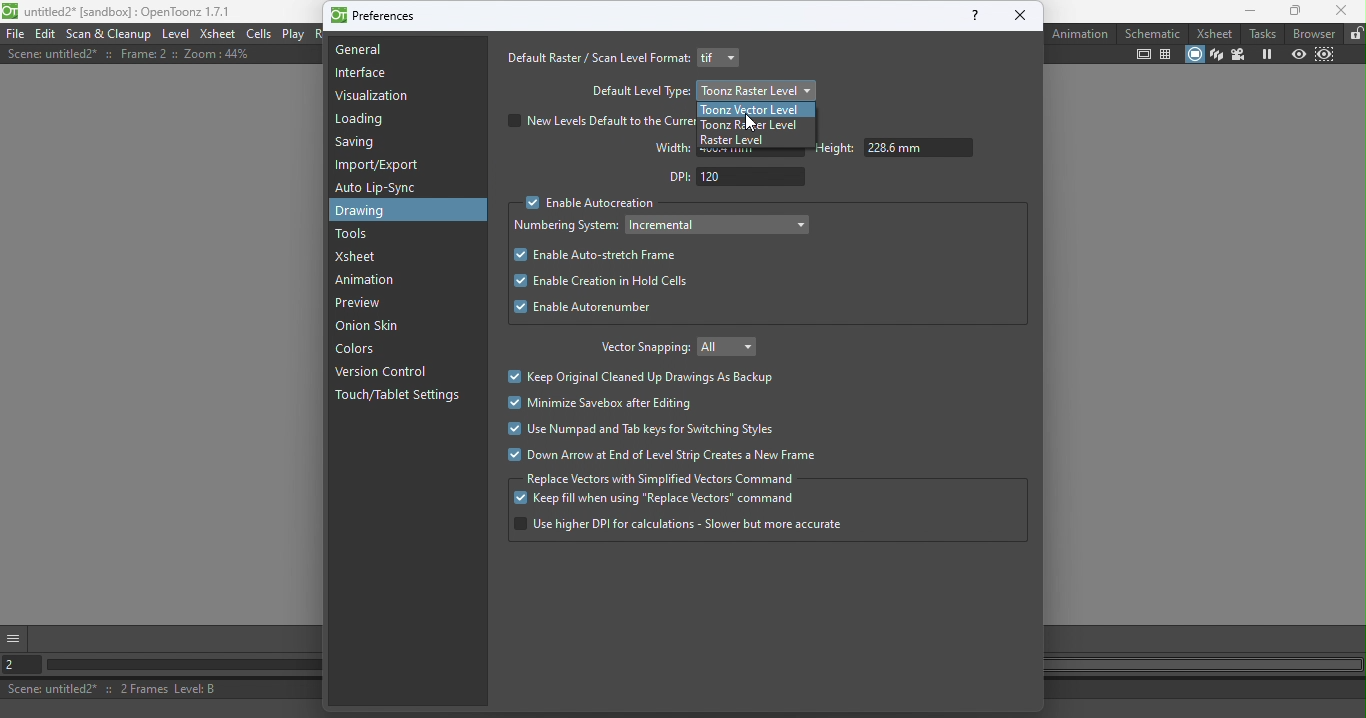 The image size is (1366, 718). Describe the element at coordinates (118, 11) in the screenshot. I see `untitled2* [sandbox] : OpenToonz 1.7.1` at that location.